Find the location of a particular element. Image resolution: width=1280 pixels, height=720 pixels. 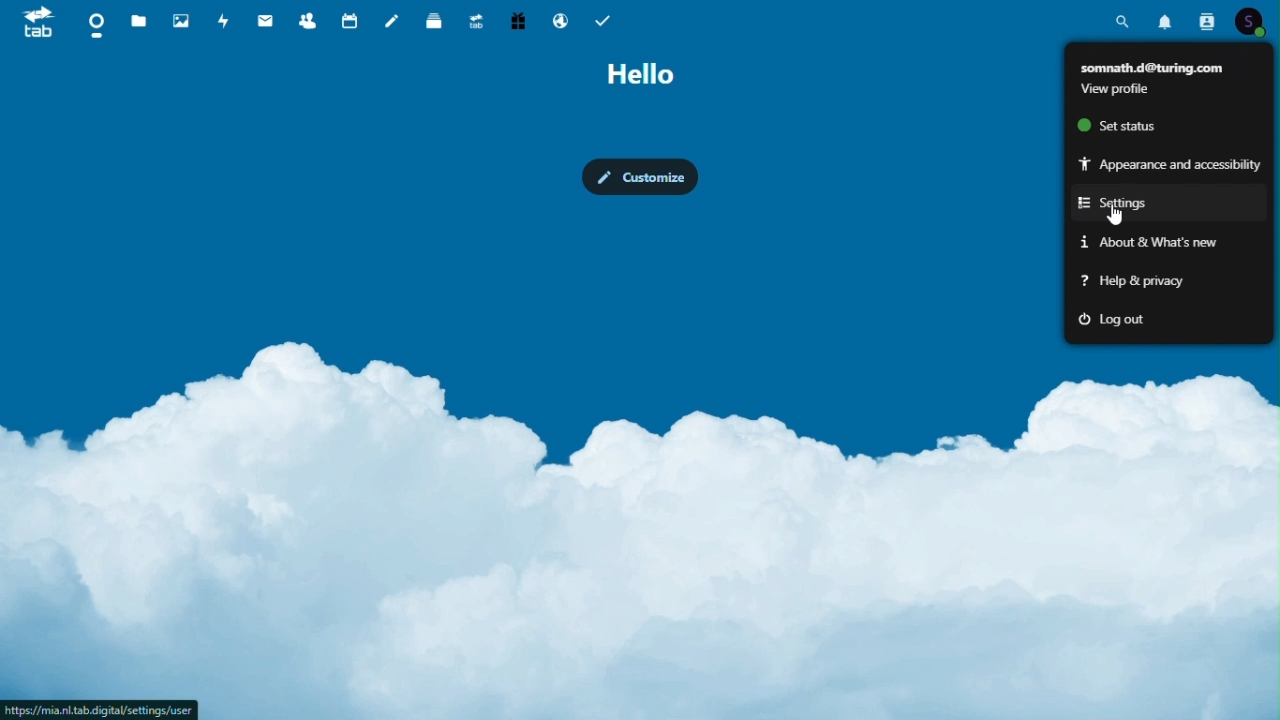

tab is located at coordinates (31, 21).